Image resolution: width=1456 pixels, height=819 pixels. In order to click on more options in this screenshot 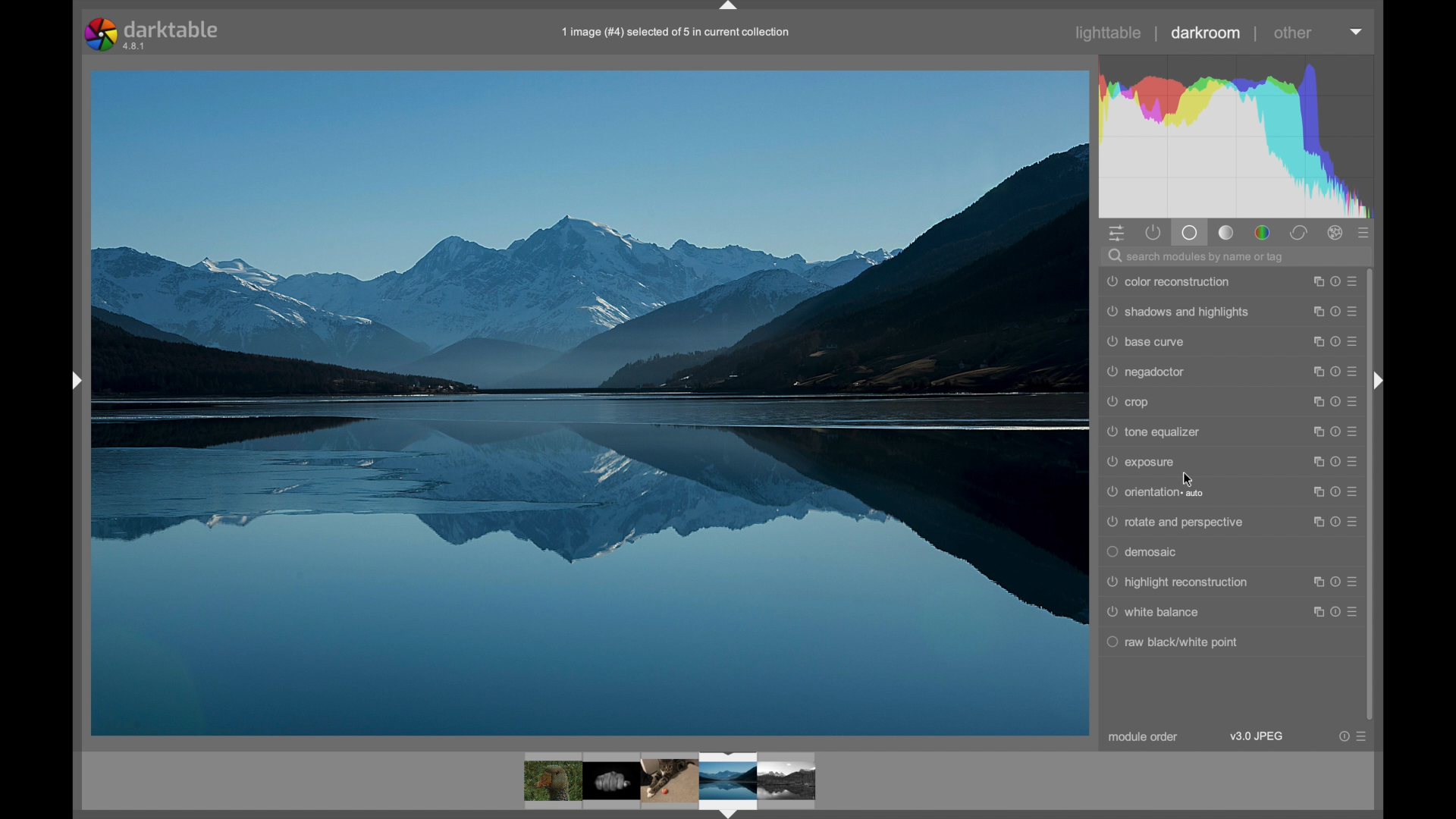, I will do `click(1335, 612)`.